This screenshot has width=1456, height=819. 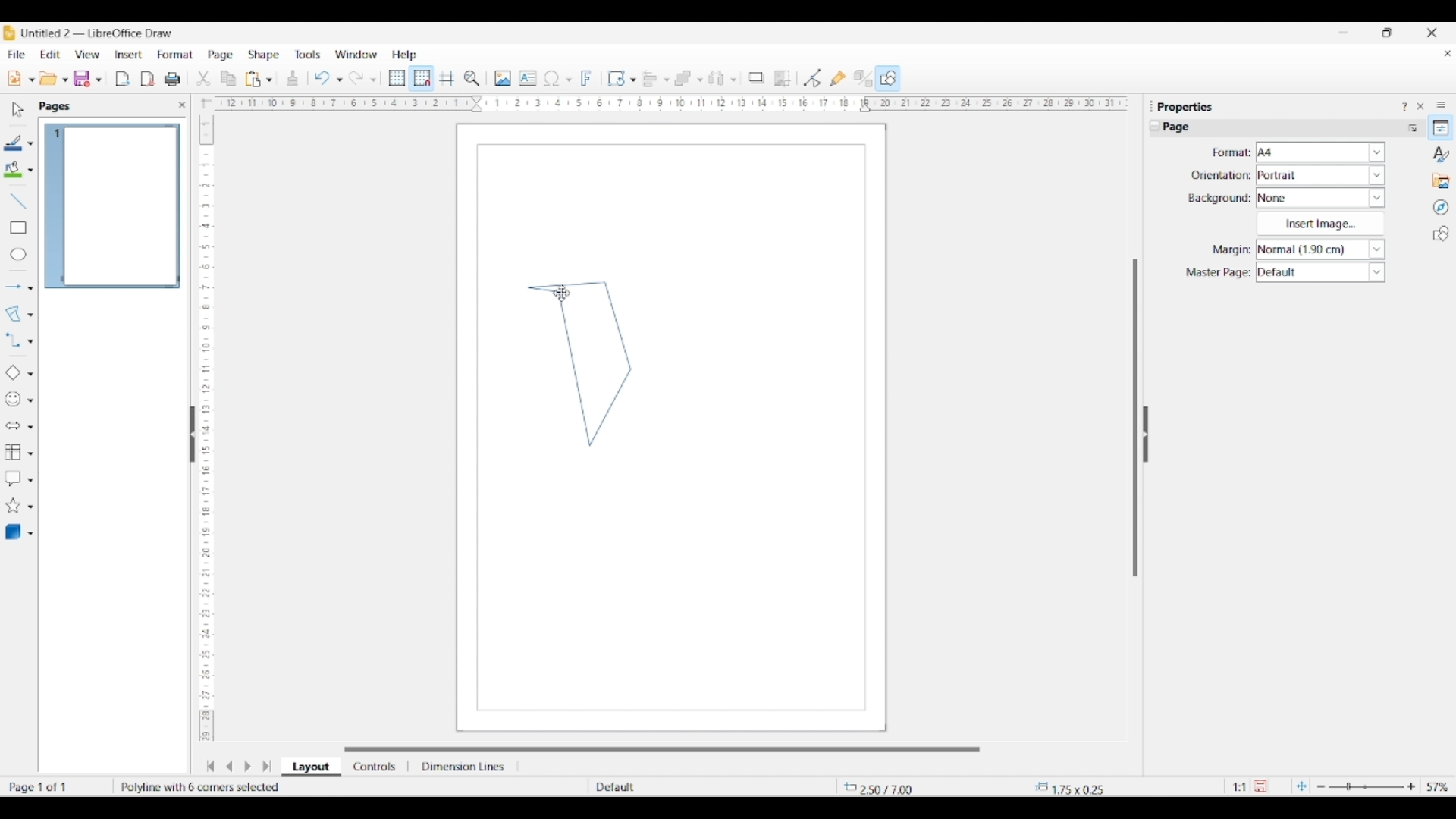 What do you see at coordinates (229, 766) in the screenshot?
I see `Move to previous slide` at bounding box center [229, 766].